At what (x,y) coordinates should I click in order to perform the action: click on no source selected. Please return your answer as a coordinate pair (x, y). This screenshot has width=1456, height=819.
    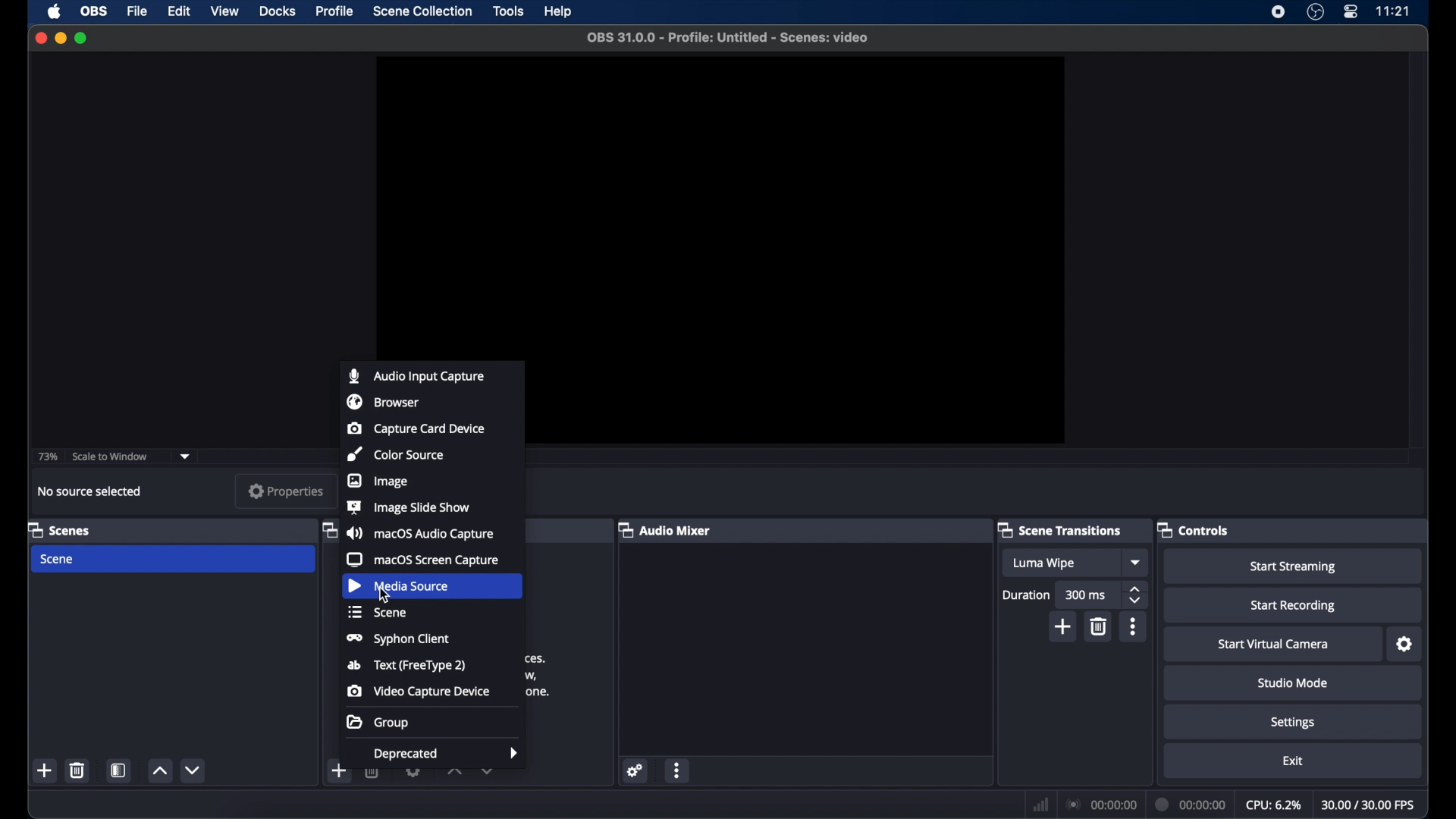
    Looking at the image, I should click on (89, 491).